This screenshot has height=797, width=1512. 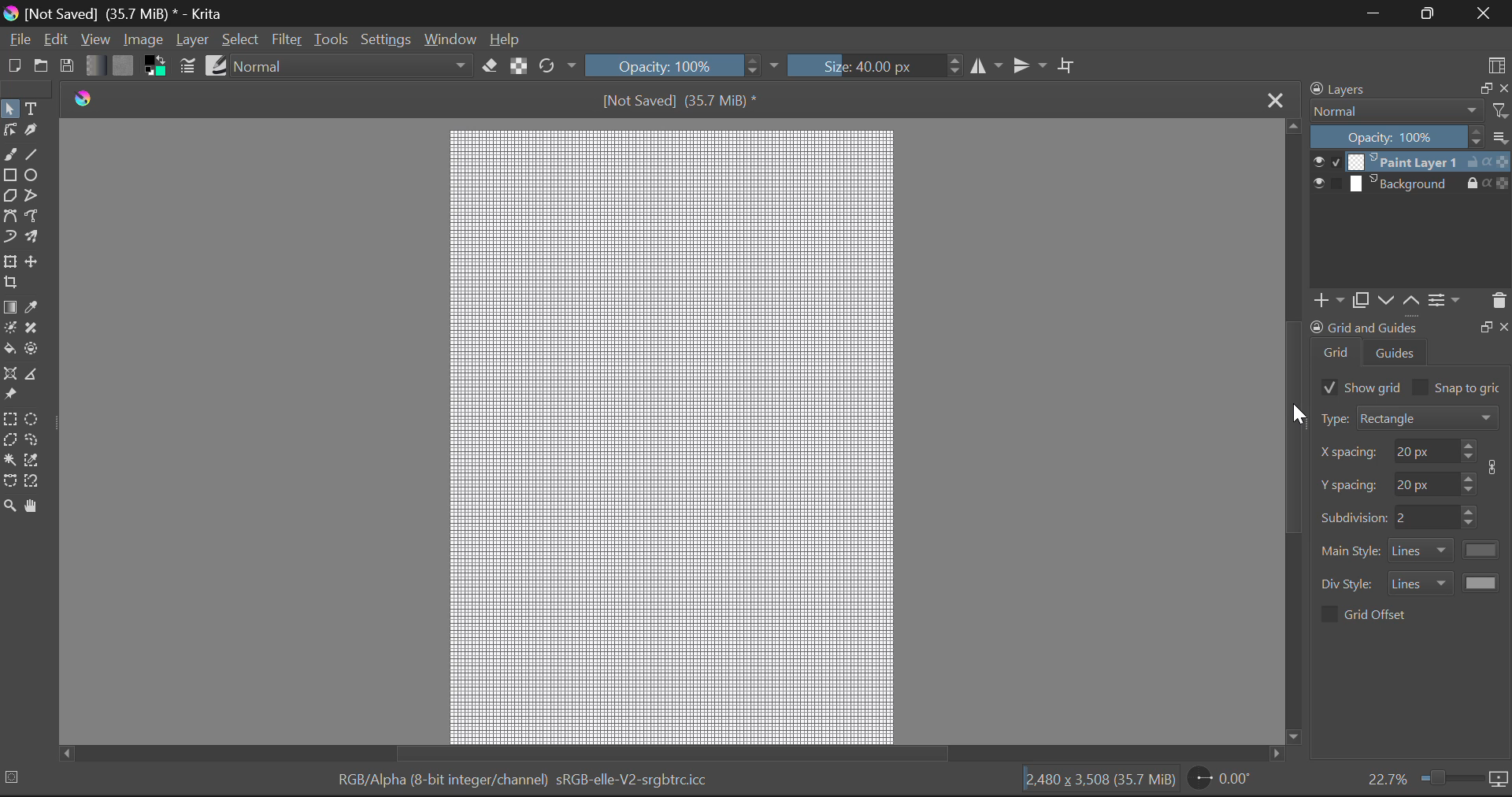 What do you see at coordinates (1353, 516) in the screenshot?
I see `sub division` at bounding box center [1353, 516].